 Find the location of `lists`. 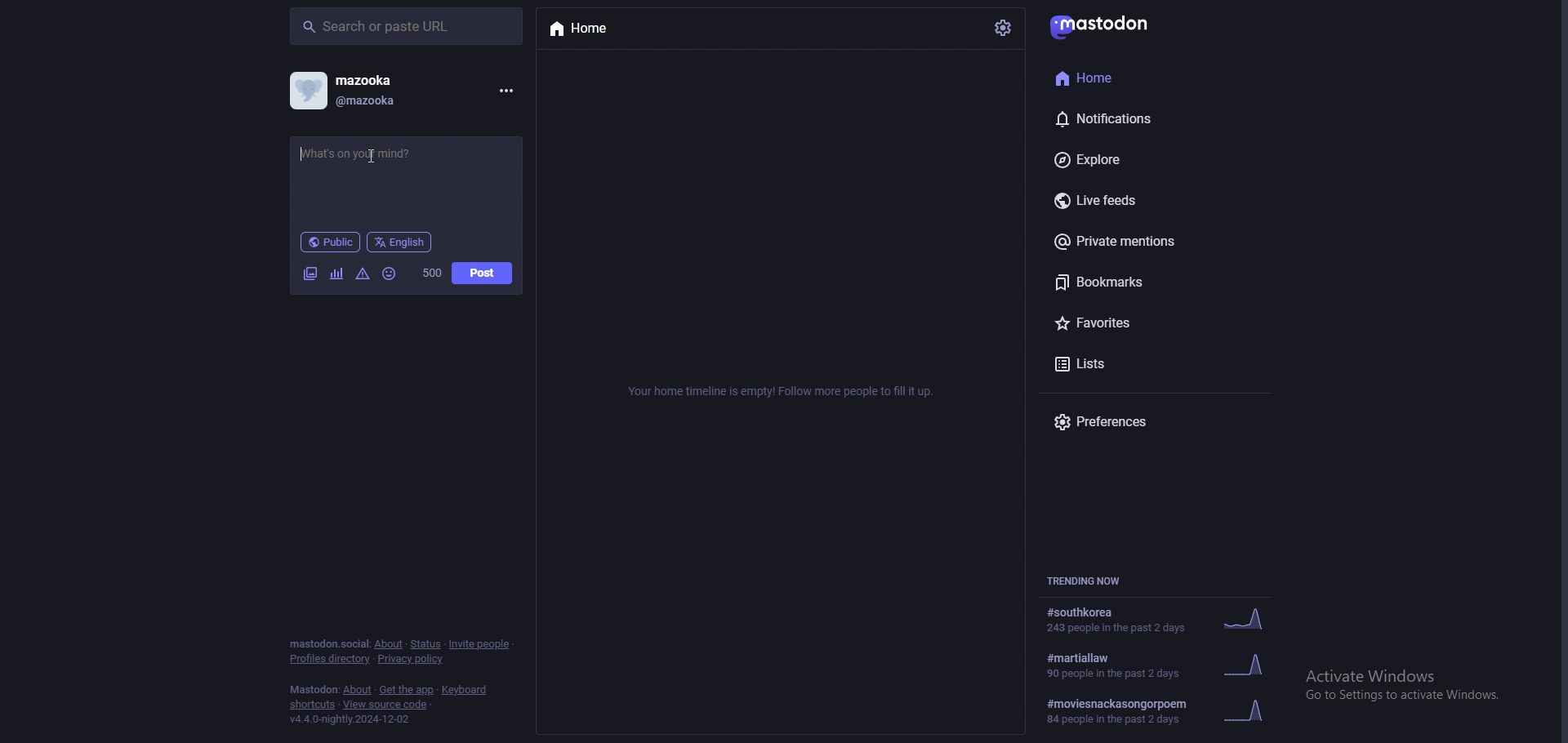

lists is located at coordinates (1130, 366).